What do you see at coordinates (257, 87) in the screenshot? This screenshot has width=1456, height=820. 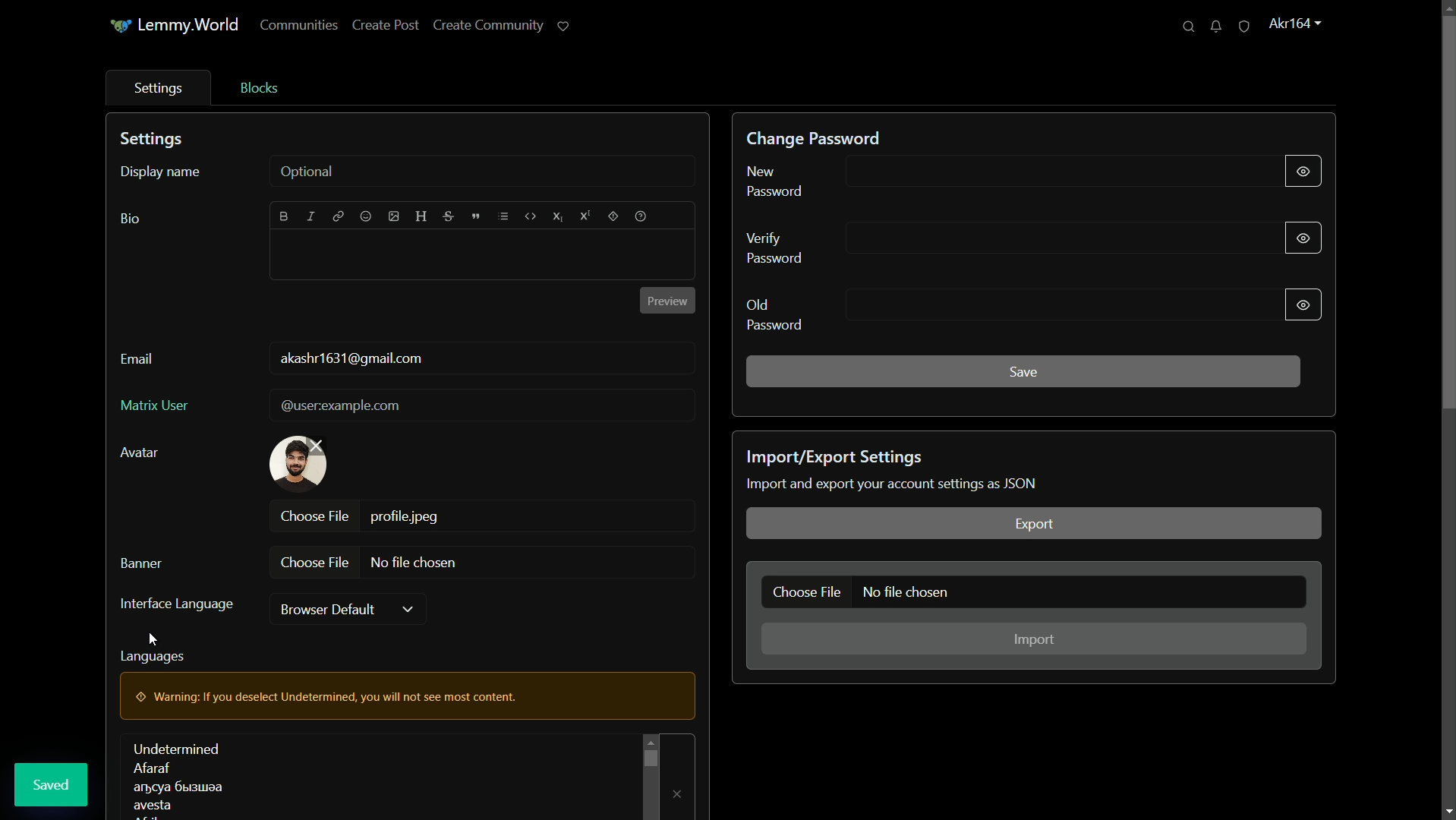 I see `blocks tab` at bounding box center [257, 87].